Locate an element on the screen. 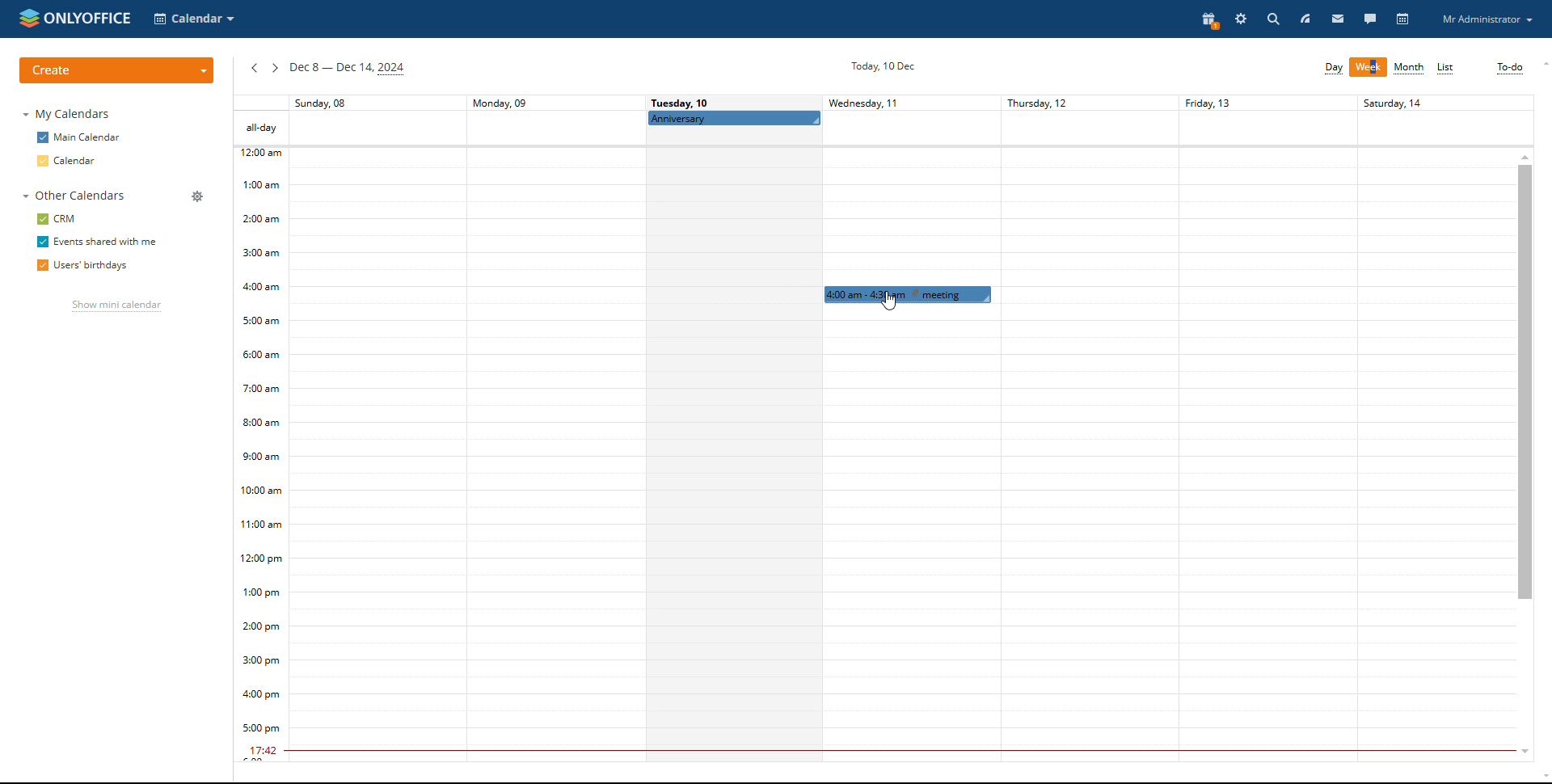 The width and height of the screenshot is (1552, 784). create is located at coordinates (116, 70).